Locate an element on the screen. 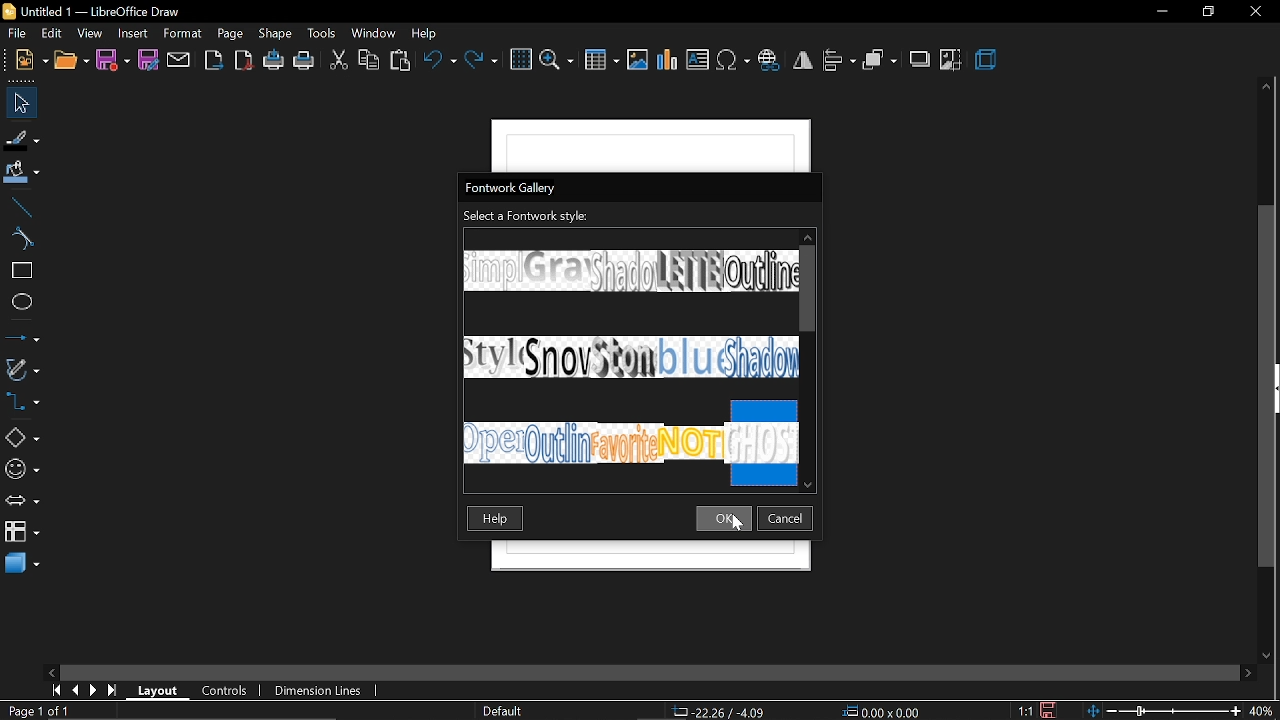 This screenshot has width=1280, height=720. arrows is located at coordinates (22, 501).